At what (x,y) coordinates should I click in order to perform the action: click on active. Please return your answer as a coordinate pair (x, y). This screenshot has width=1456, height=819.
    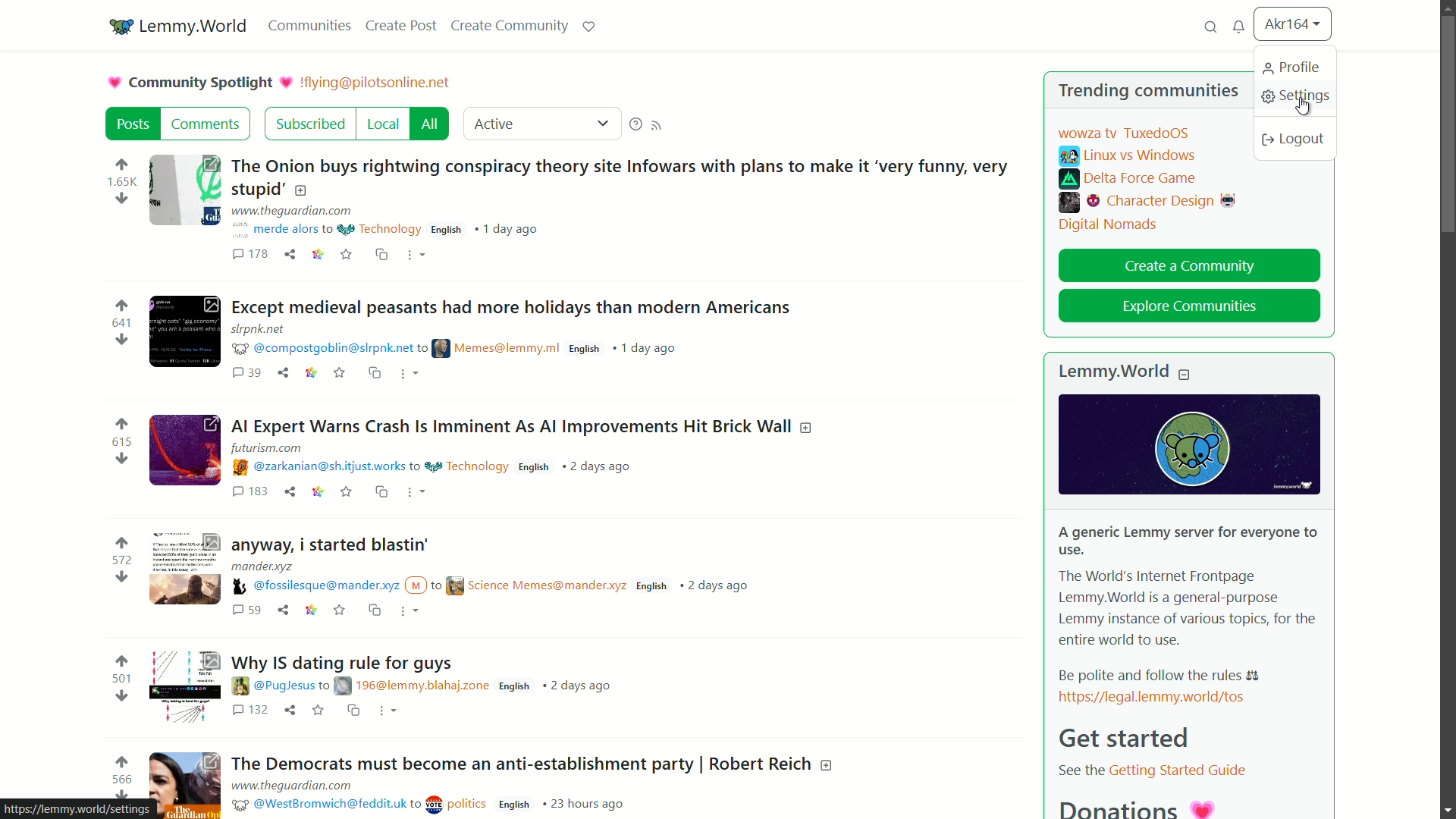
    Looking at the image, I should click on (494, 124).